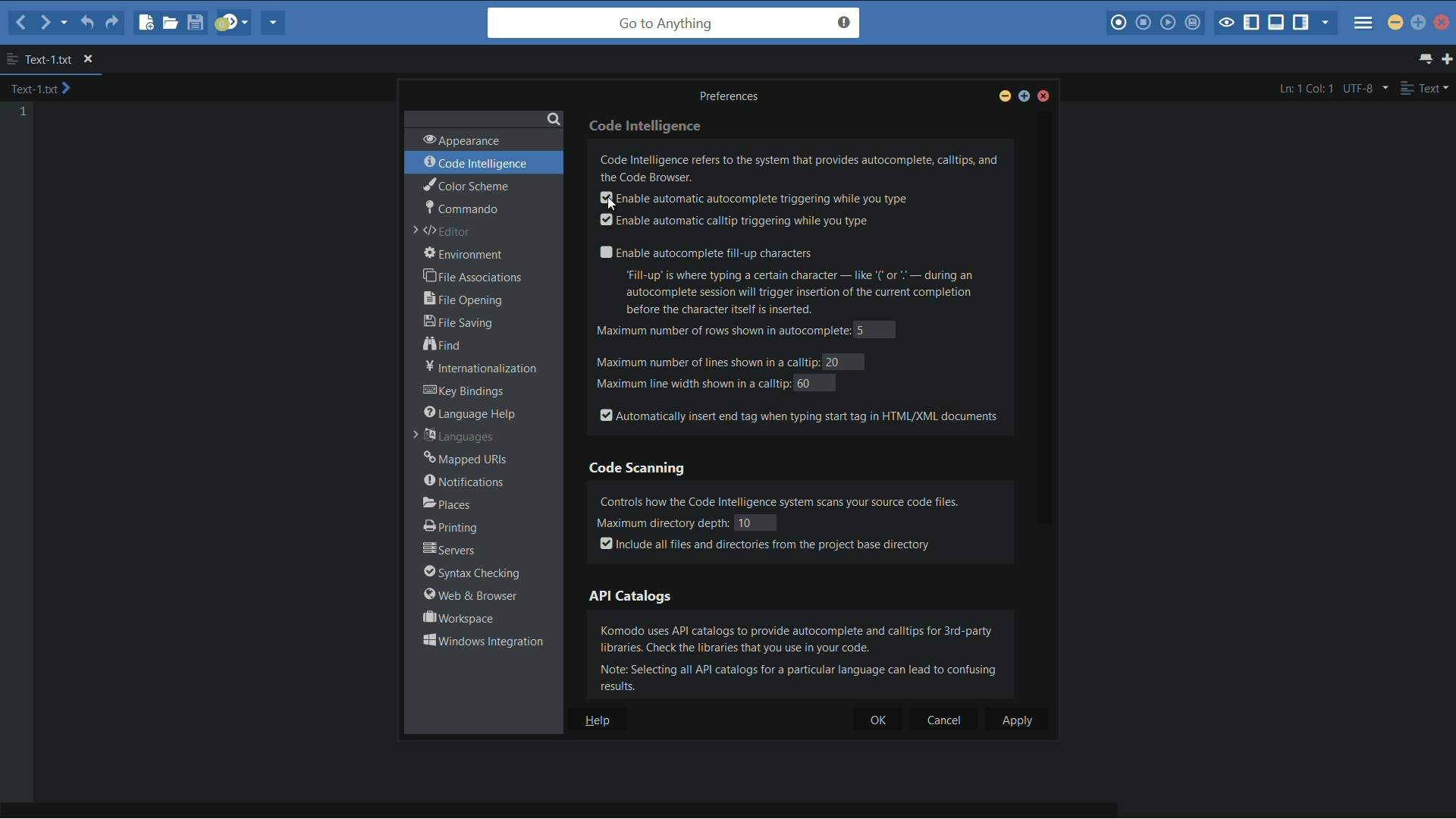  What do you see at coordinates (870, 720) in the screenshot?
I see `ok` at bounding box center [870, 720].